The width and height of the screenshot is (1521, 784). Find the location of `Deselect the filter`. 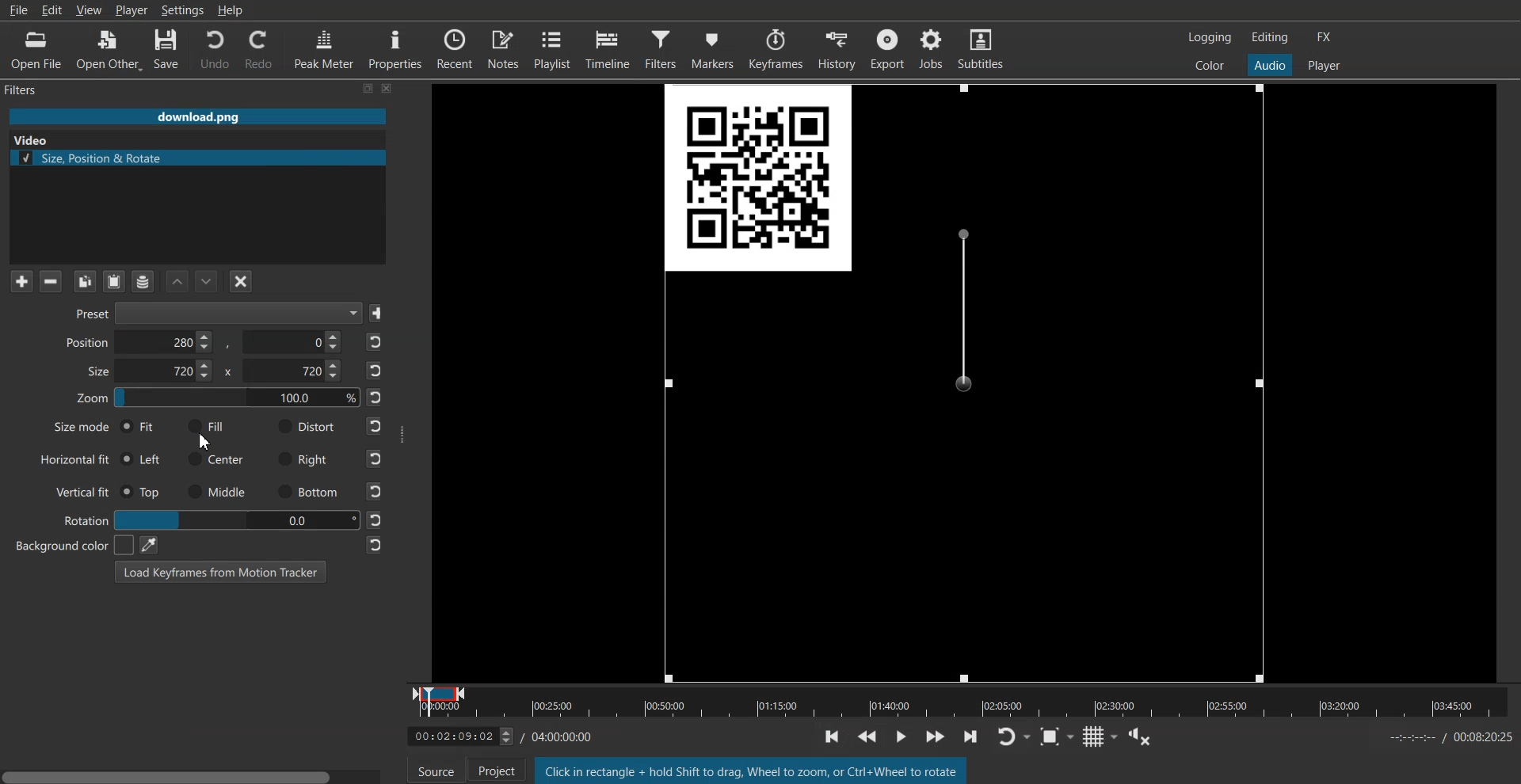

Deselect the filter is located at coordinates (242, 281).